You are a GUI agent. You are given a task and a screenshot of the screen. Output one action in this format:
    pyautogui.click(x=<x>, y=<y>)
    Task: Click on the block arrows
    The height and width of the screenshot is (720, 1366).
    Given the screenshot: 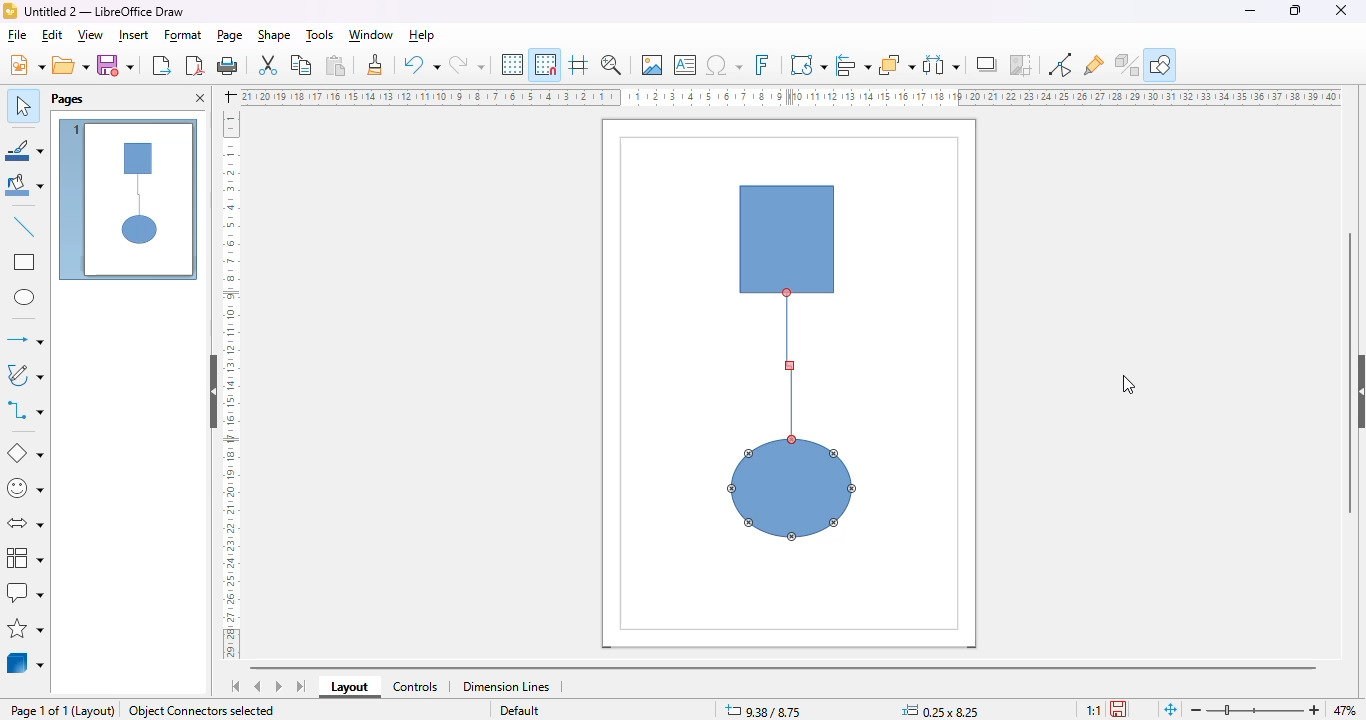 What is the action you would take?
    pyautogui.click(x=27, y=523)
    